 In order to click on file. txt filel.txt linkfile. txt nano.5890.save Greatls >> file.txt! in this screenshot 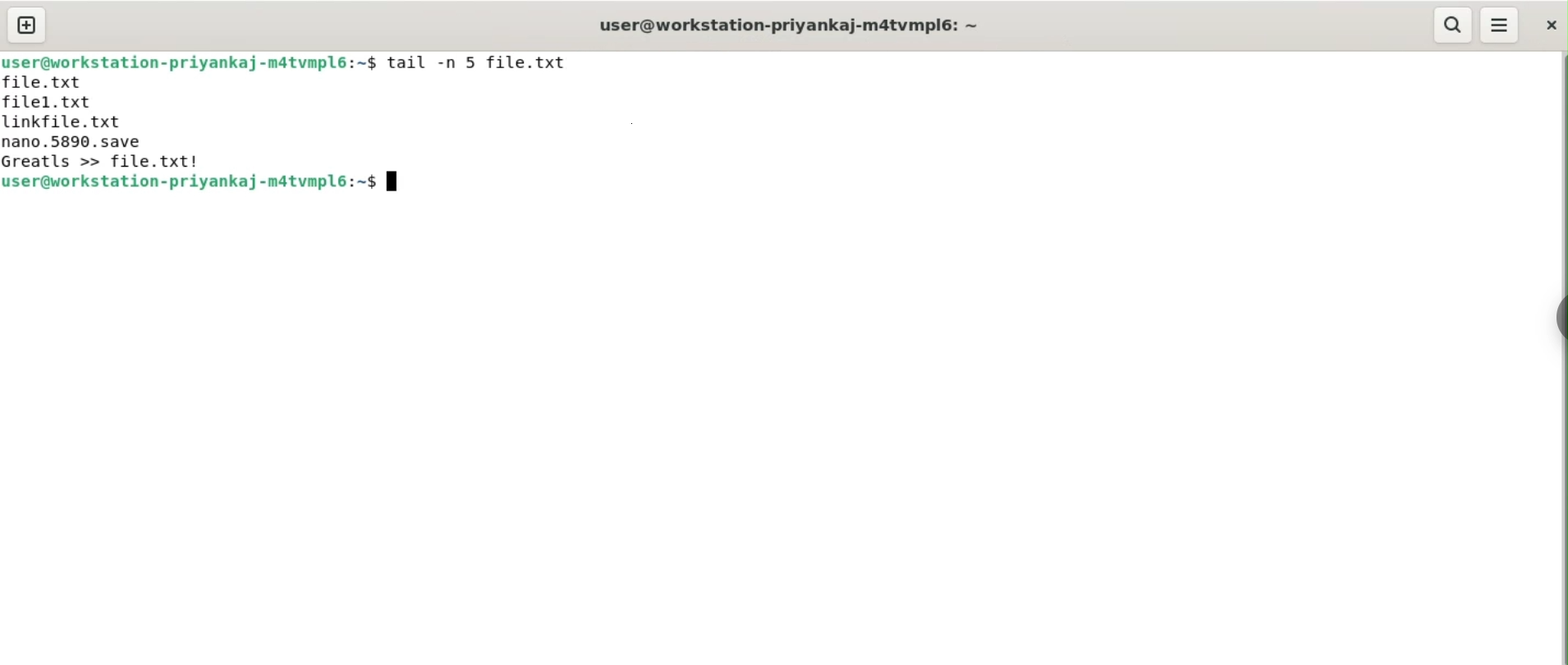, I will do `click(104, 122)`.